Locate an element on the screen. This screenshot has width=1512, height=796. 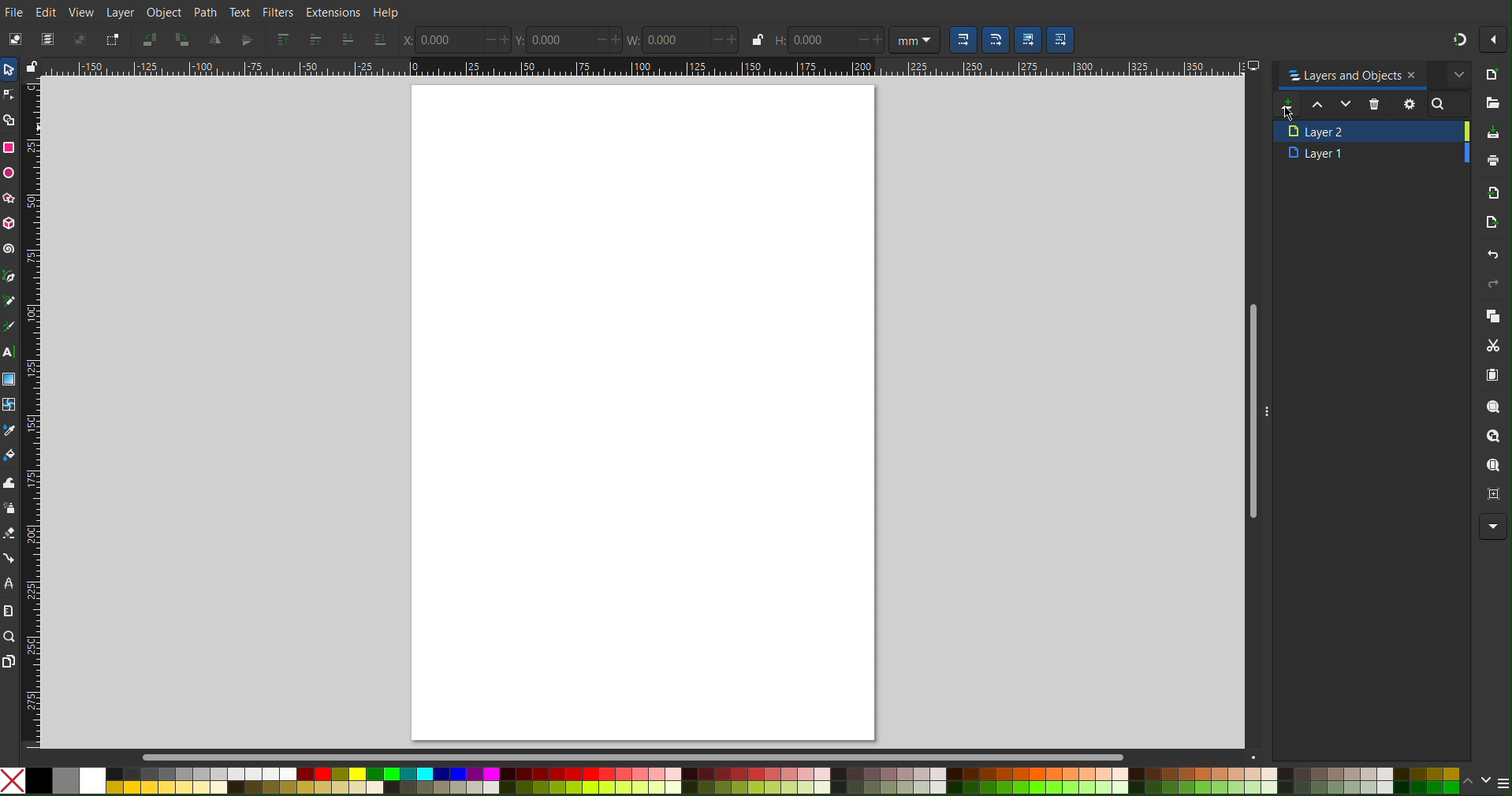
Mesh Tool is located at coordinates (11, 402).